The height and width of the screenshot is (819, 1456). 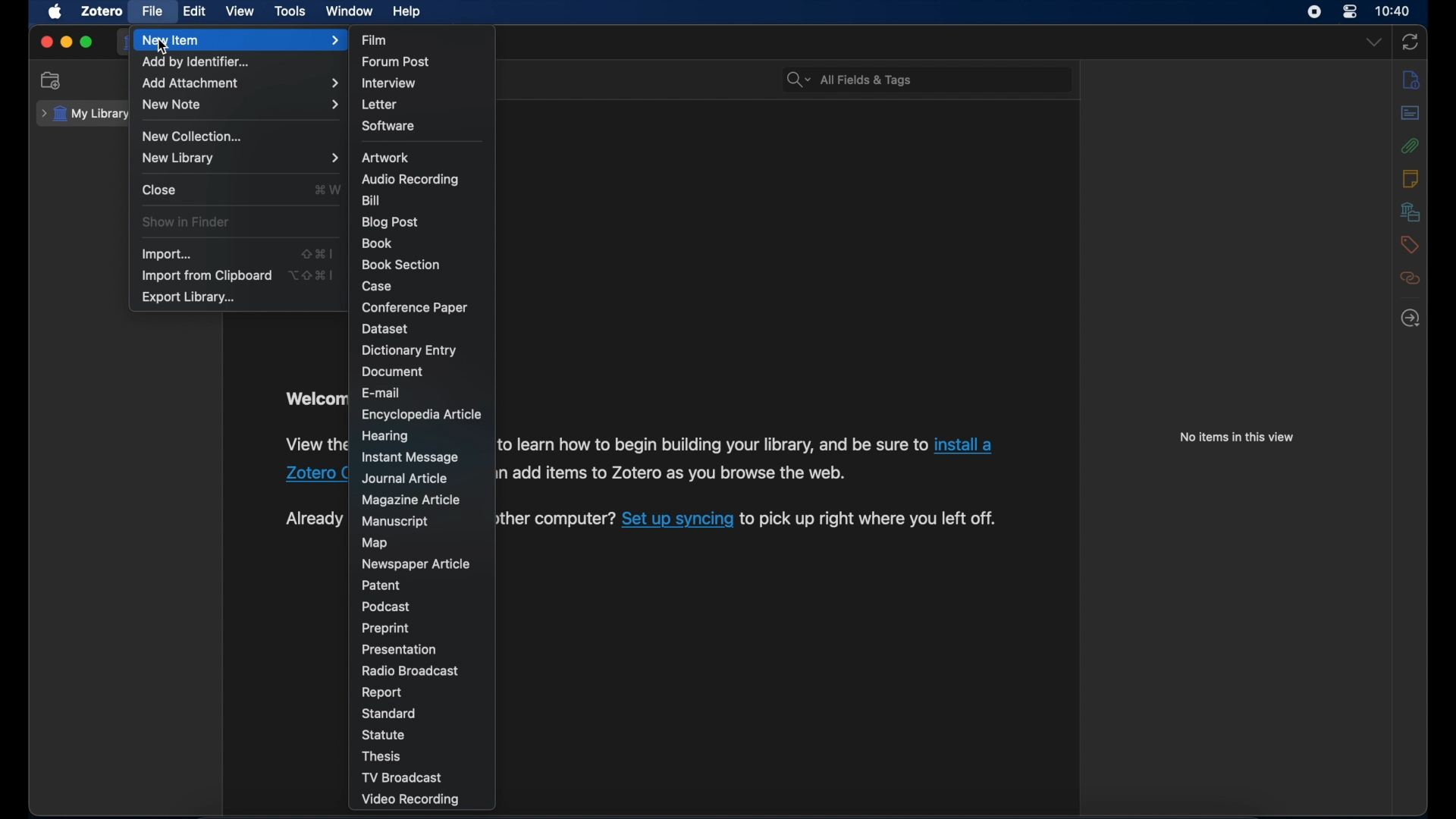 I want to click on attachments, so click(x=1410, y=146).